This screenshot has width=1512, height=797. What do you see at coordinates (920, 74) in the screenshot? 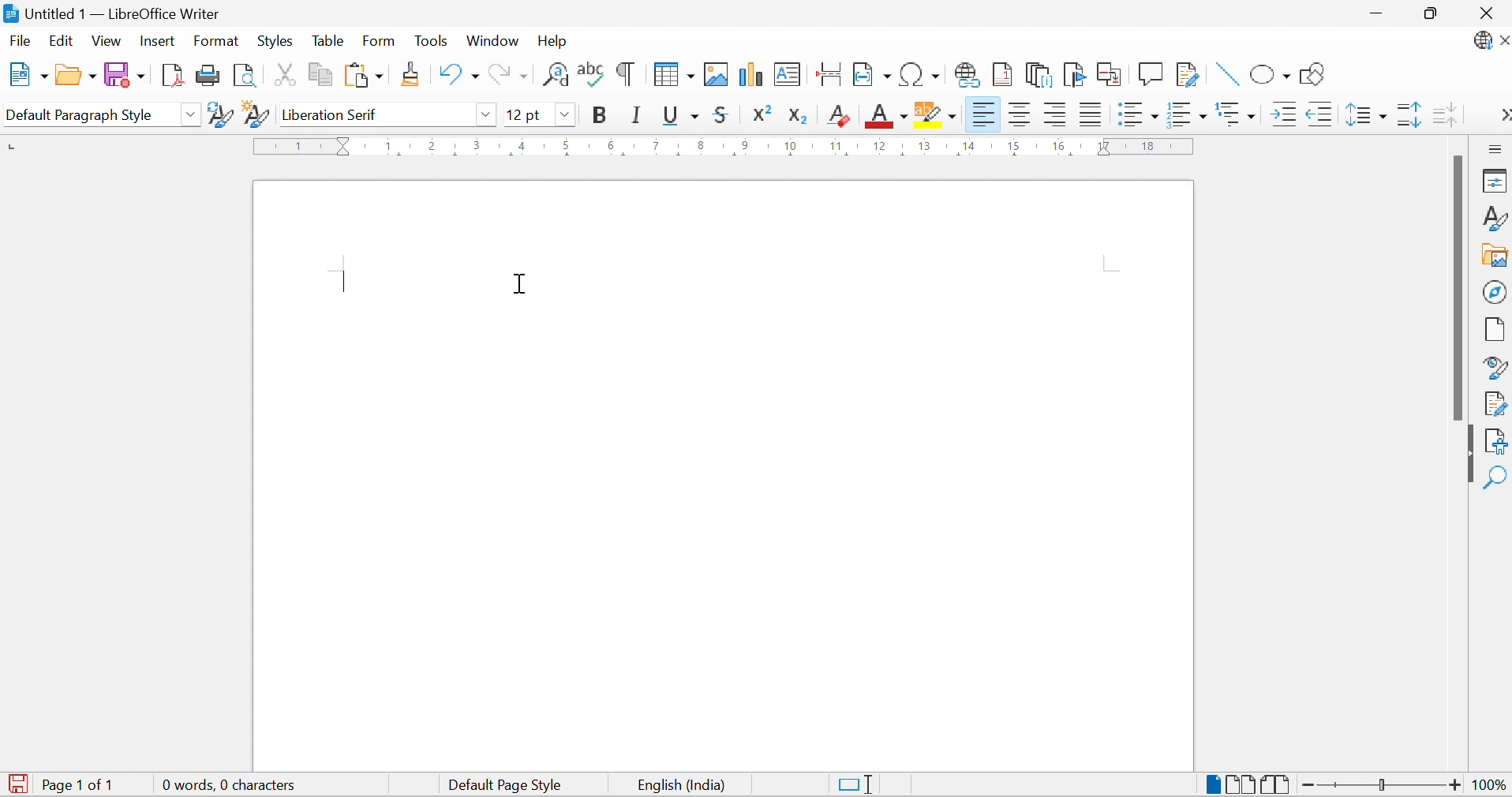
I see `Insert Special Characters` at bounding box center [920, 74].